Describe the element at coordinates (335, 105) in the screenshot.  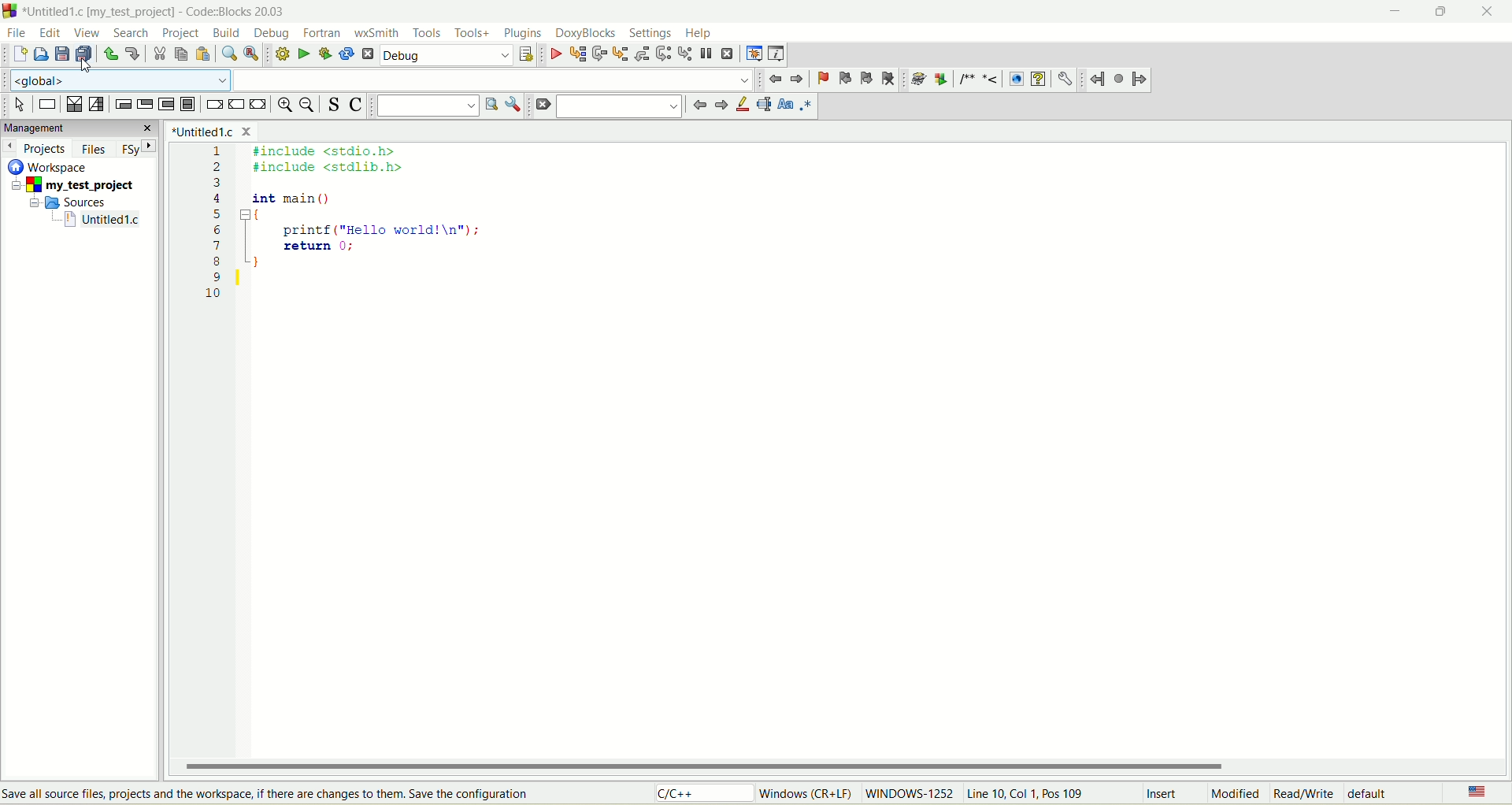
I see `toggle search` at that location.